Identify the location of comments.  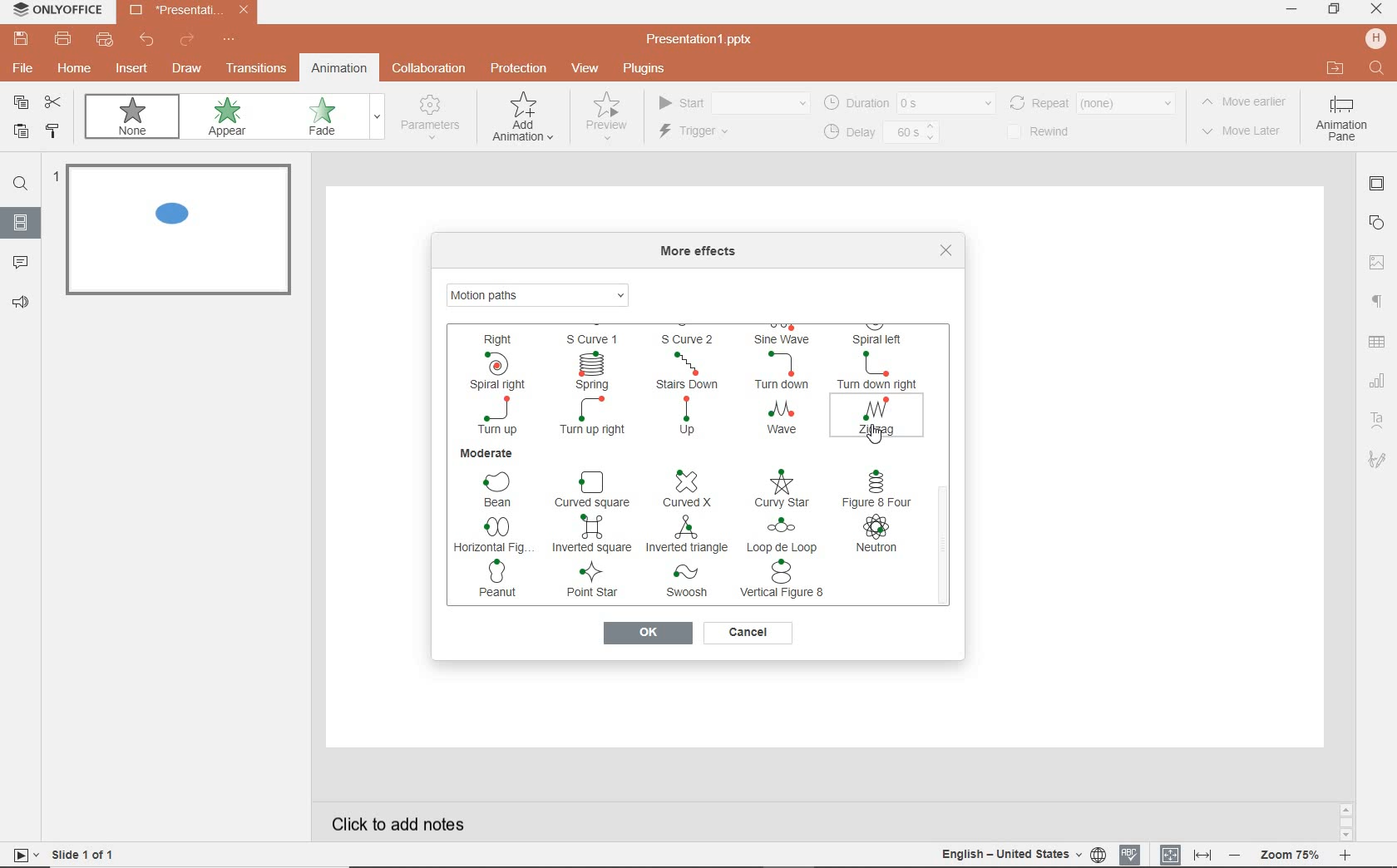
(22, 263).